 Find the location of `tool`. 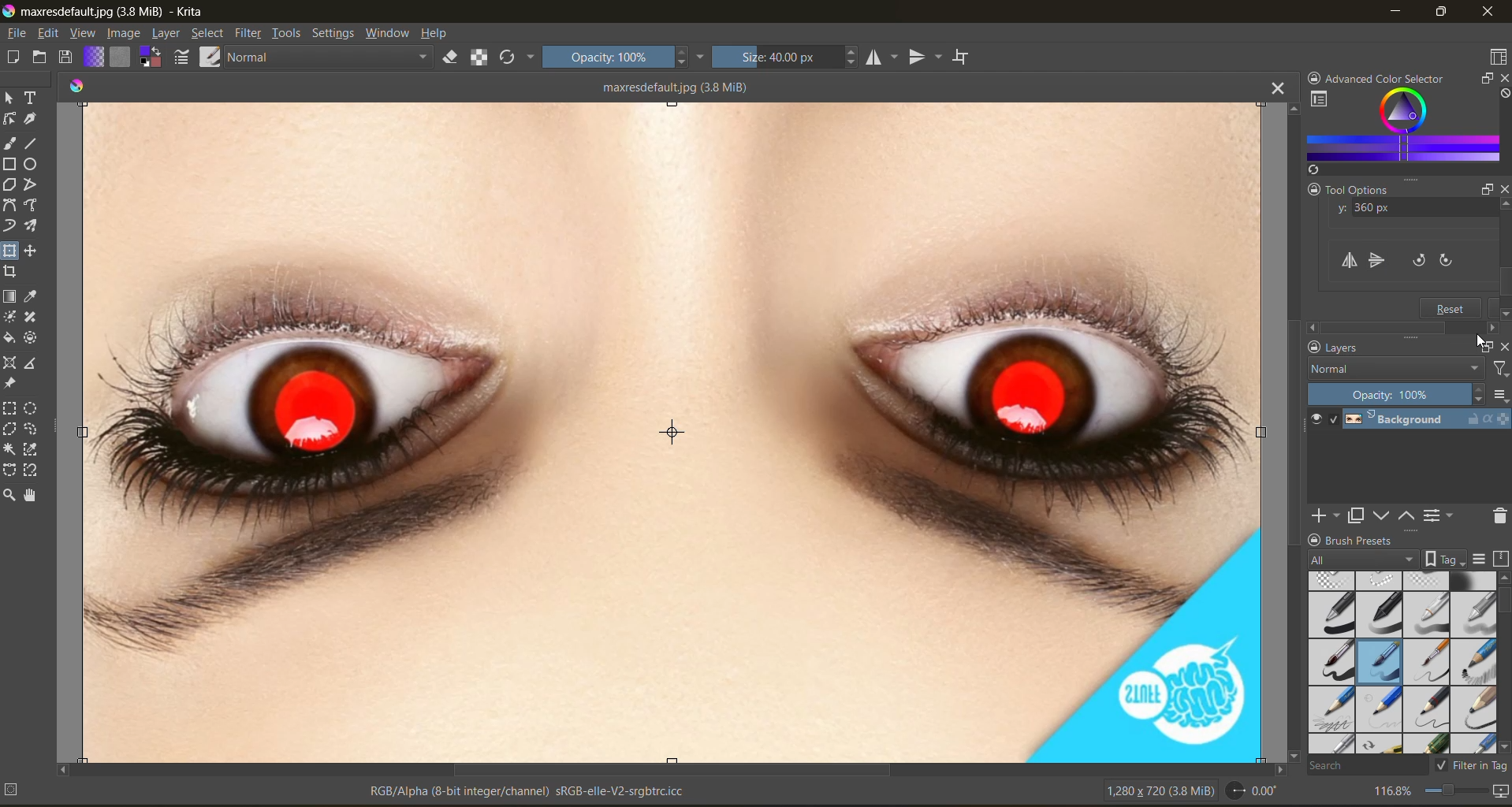

tool is located at coordinates (35, 428).